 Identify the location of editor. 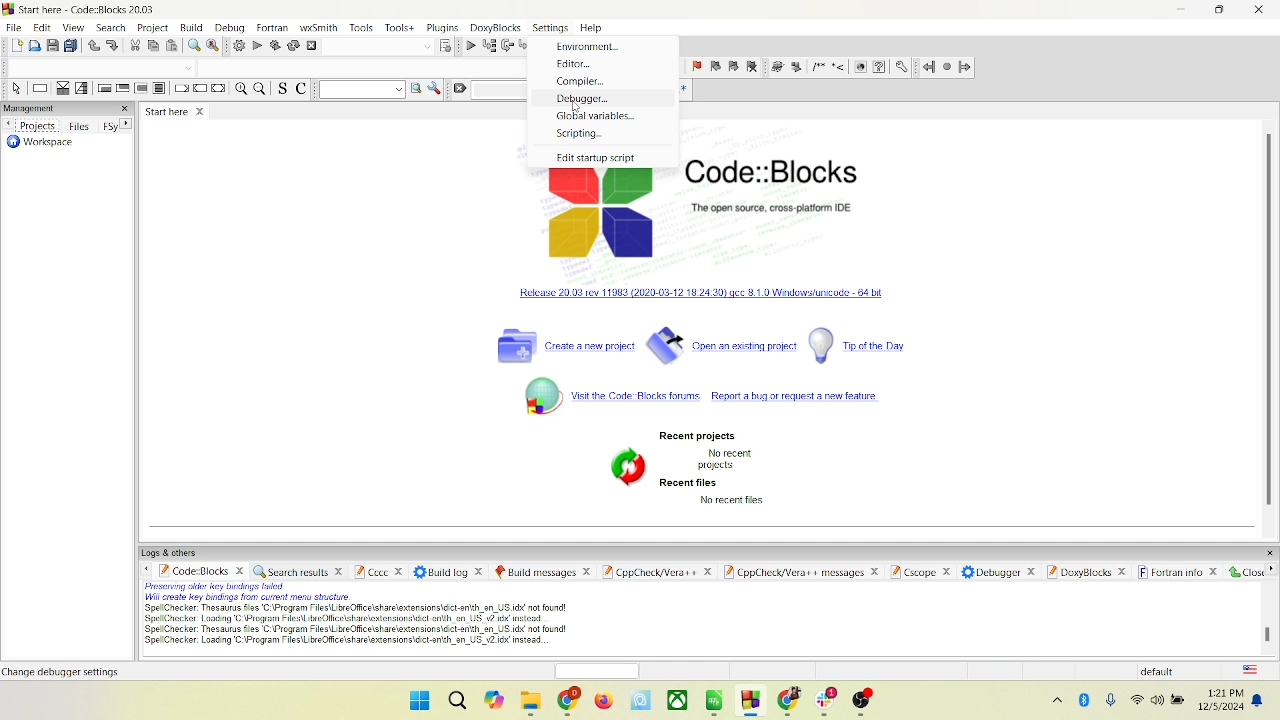
(577, 63).